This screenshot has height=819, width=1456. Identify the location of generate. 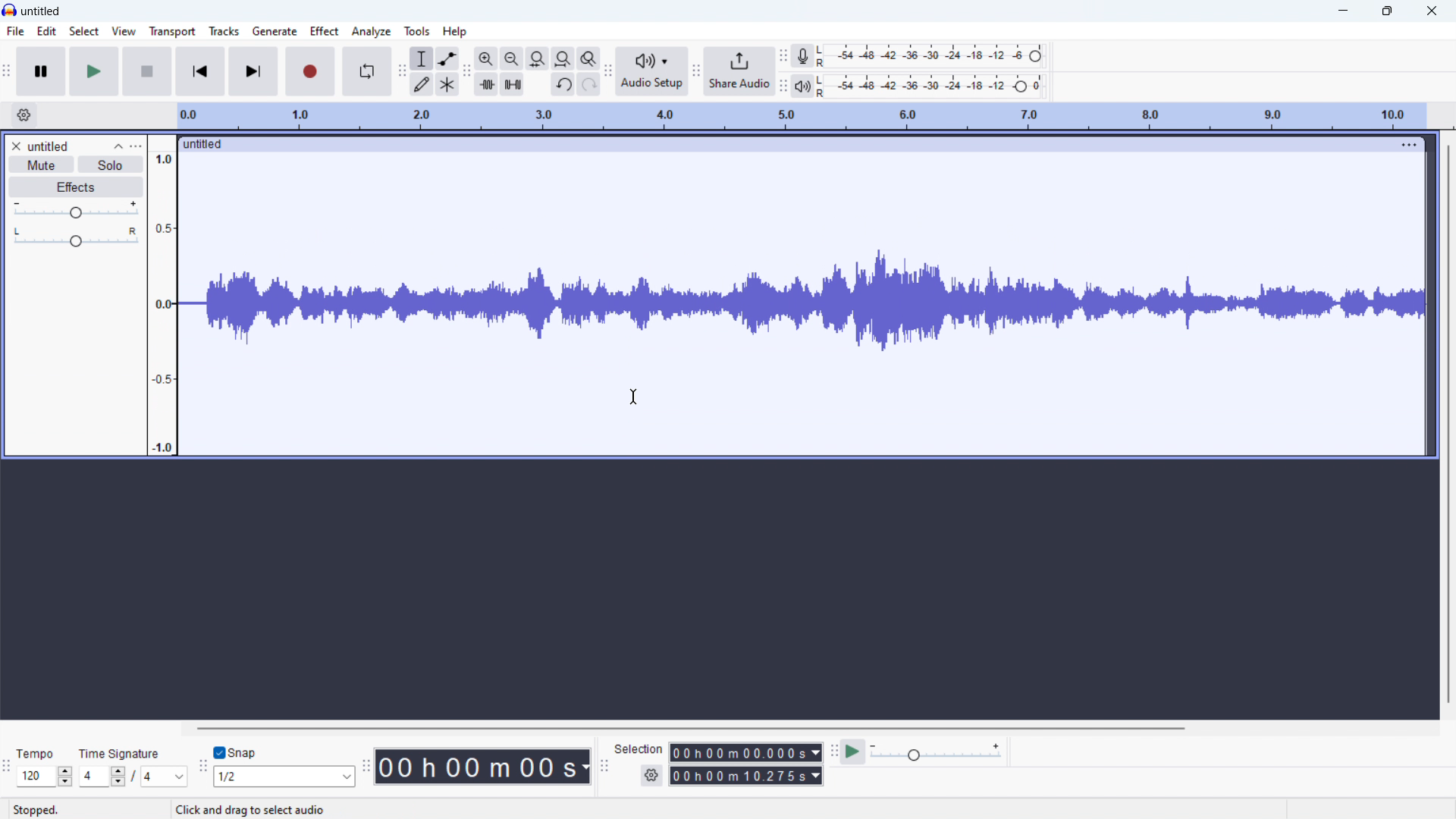
(274, 31).